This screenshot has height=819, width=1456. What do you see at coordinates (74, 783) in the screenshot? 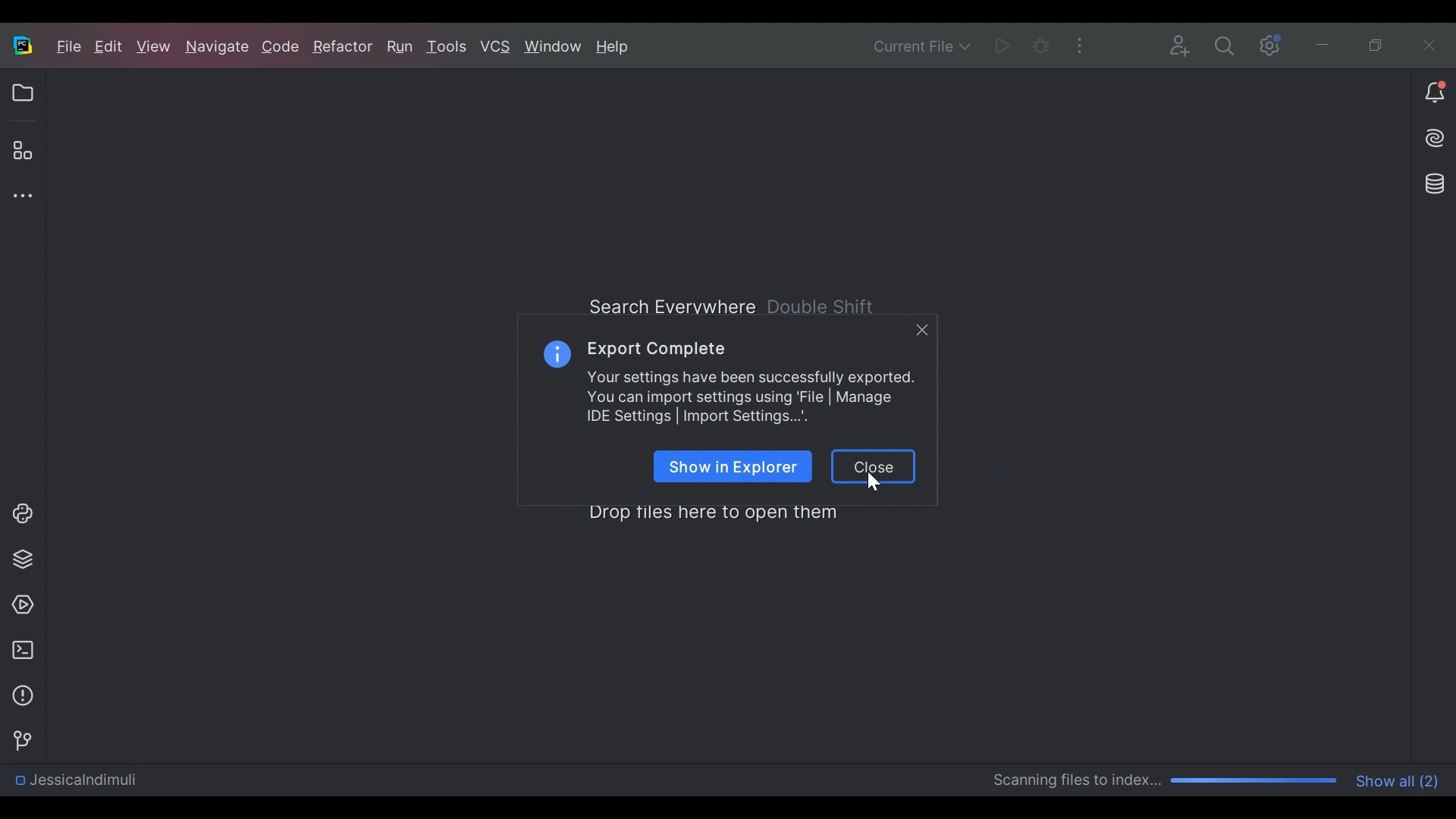
I see `Directory` at bounding box center [74, 783].